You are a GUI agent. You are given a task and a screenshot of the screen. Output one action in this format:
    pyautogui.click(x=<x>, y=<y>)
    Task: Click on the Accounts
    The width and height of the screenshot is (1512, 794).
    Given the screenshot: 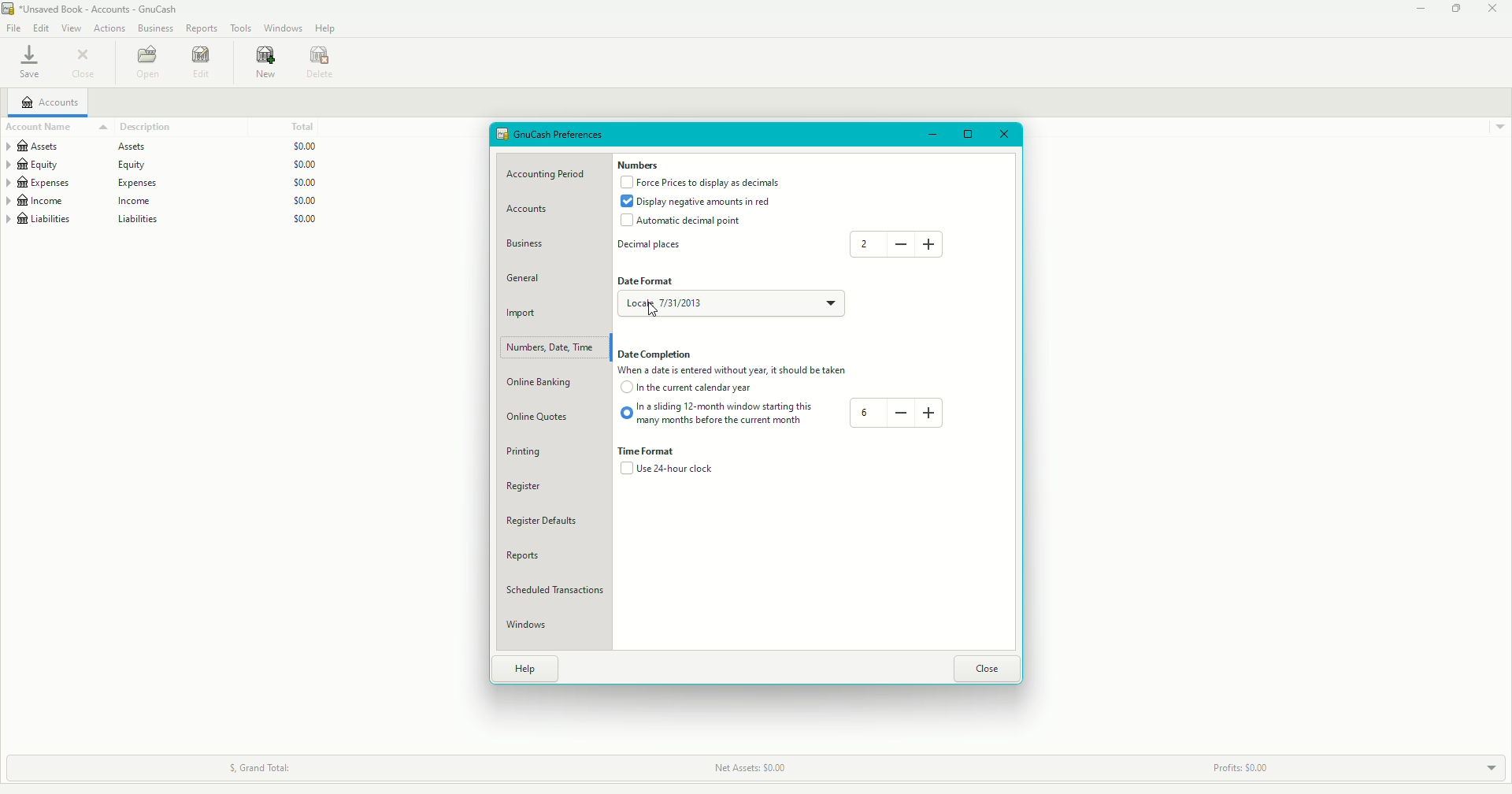 What is the action you would take?
    pyautogui.click(x=51, y=103)
    